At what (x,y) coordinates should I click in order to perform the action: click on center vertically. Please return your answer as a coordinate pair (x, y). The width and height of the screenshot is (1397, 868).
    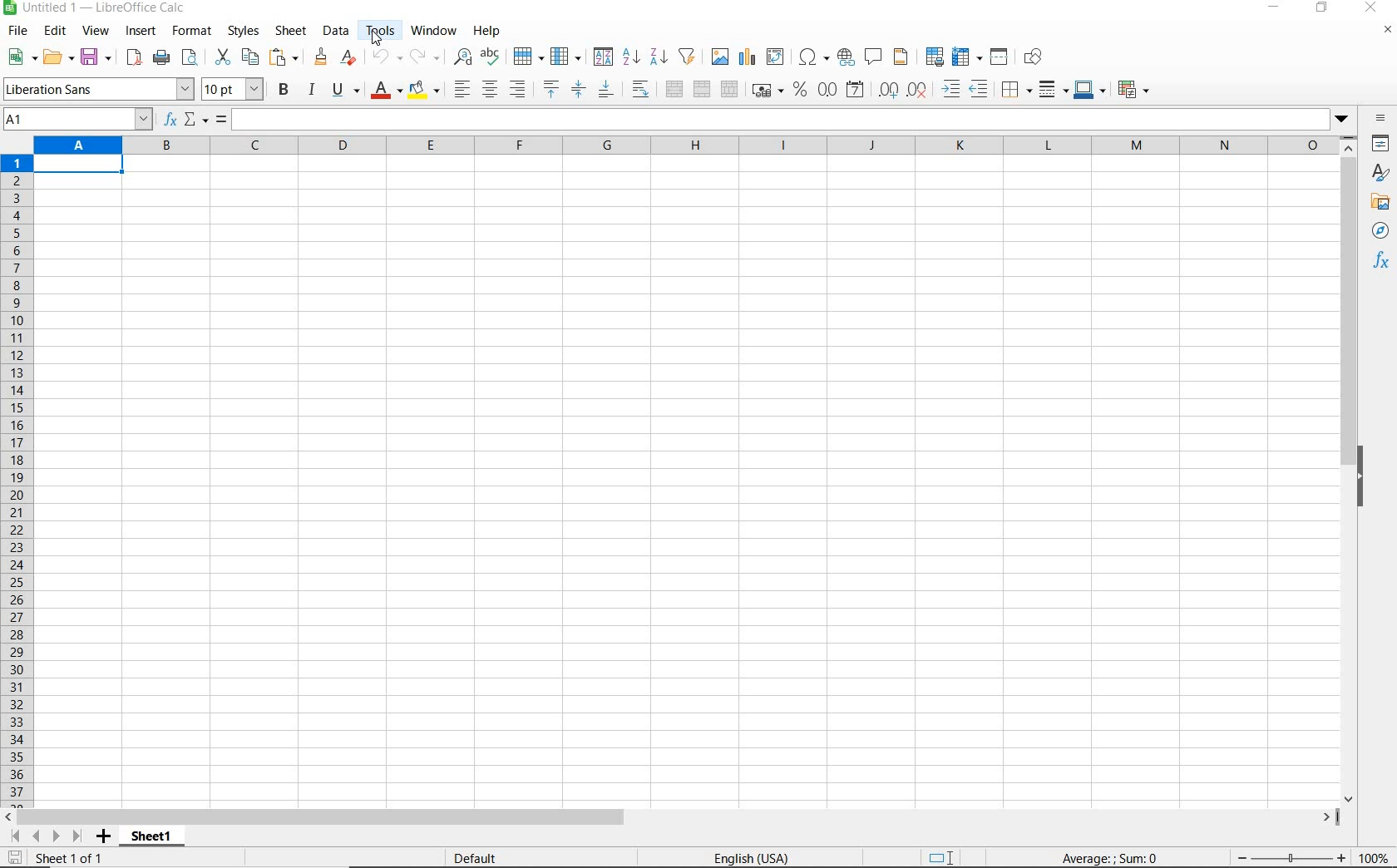
    Looking at the image, I should click on (578, 89).